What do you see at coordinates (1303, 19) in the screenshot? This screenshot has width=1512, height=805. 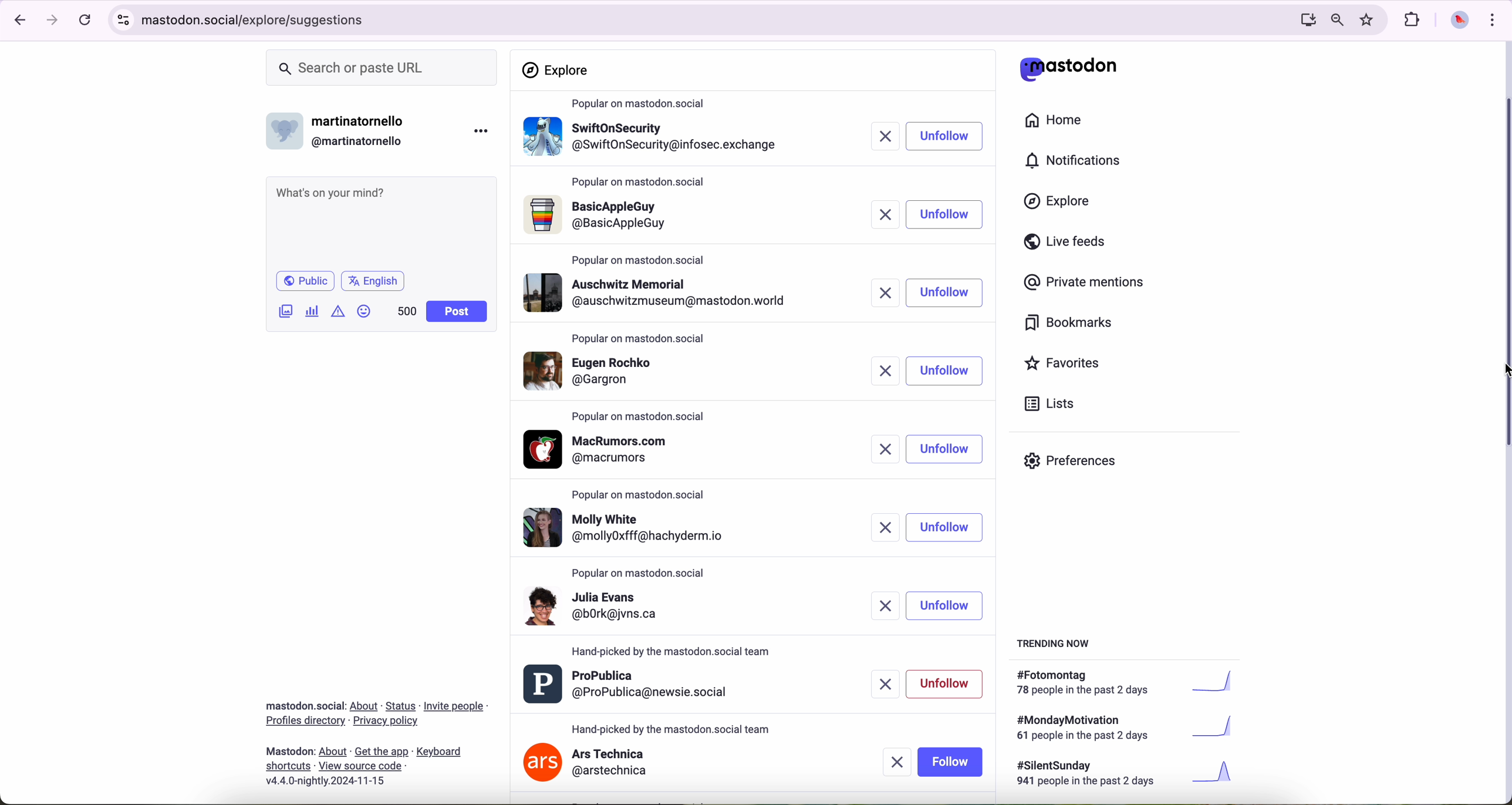 I see `computer` at bounding box center [1303, 19].